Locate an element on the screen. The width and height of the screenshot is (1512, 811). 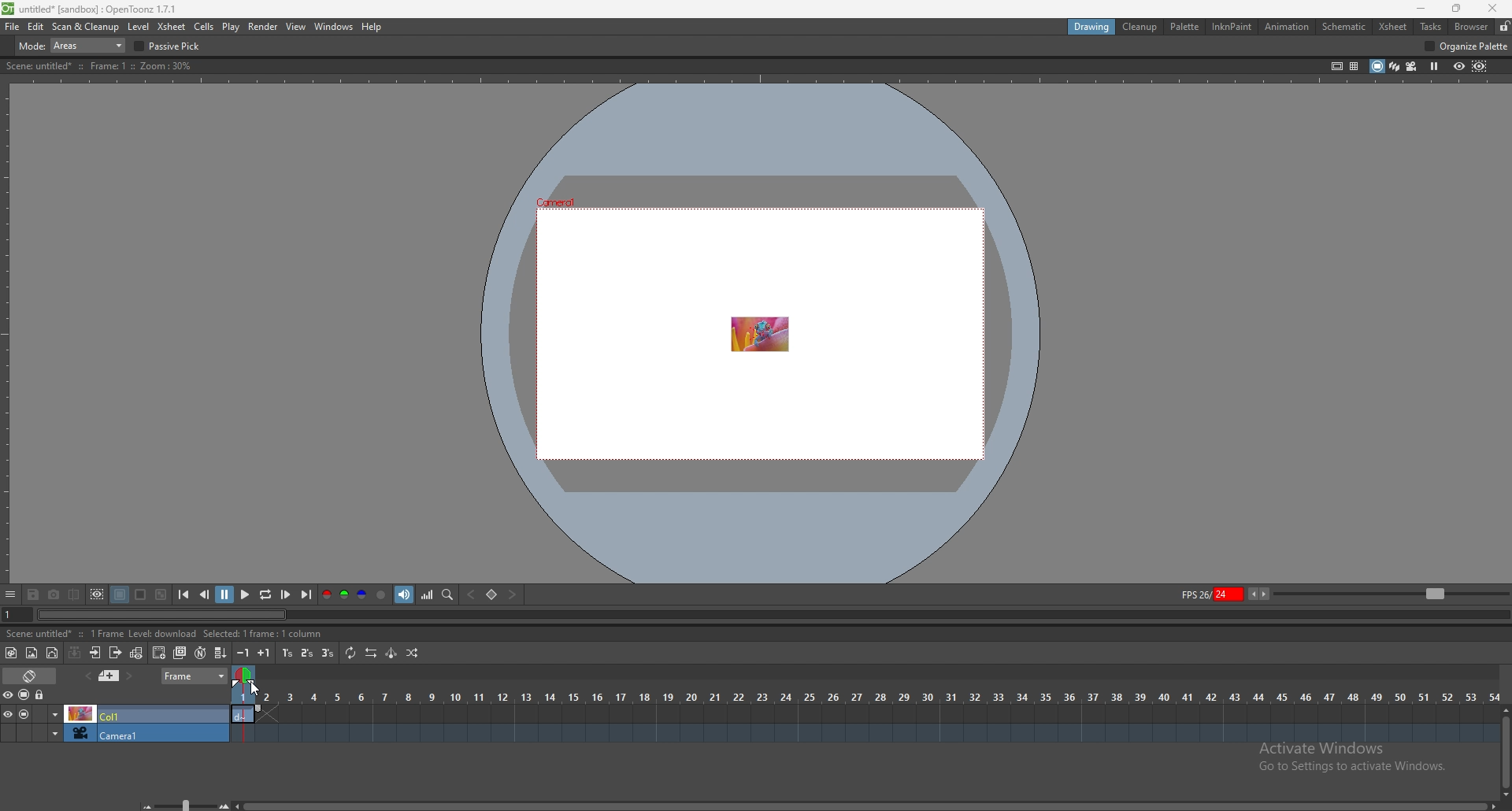
visibility toggle is located at coordinates (12, 695).